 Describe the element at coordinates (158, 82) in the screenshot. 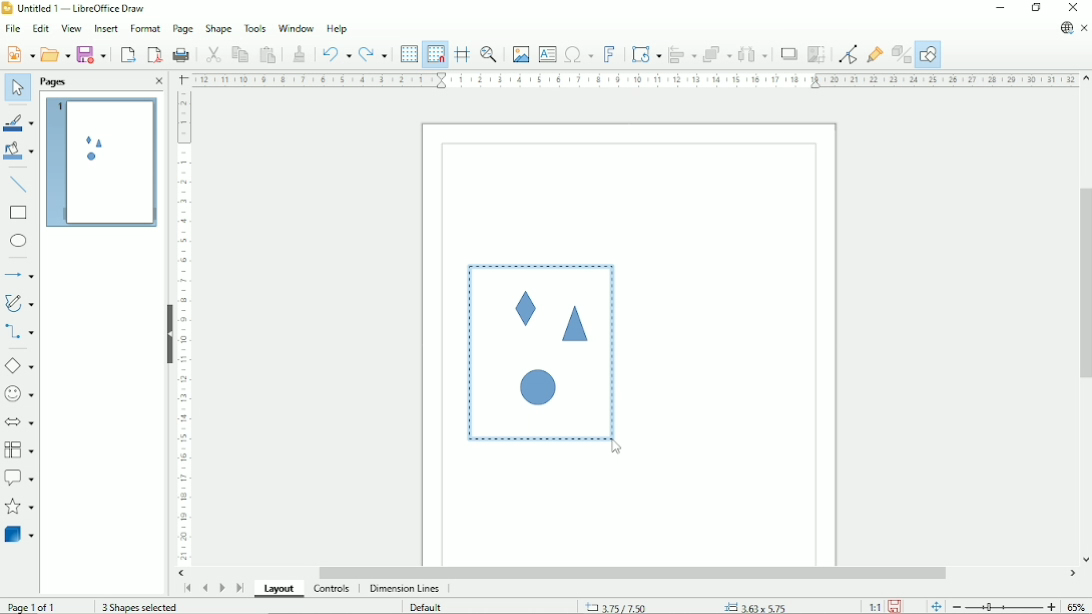

I see `Close` at that location.